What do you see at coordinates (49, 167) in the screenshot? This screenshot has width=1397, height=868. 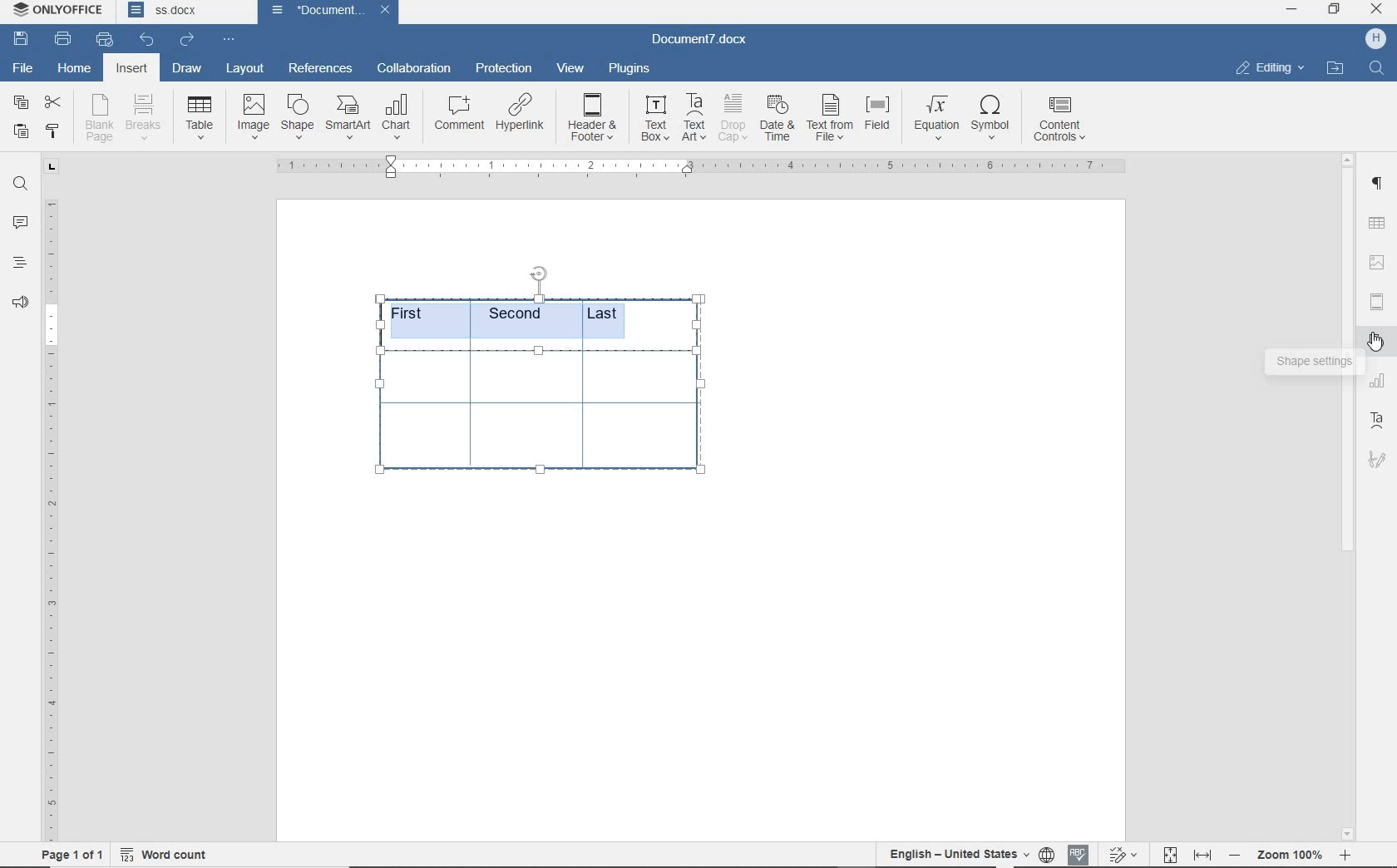 I see `tab group` at bounding box center [49, 167].